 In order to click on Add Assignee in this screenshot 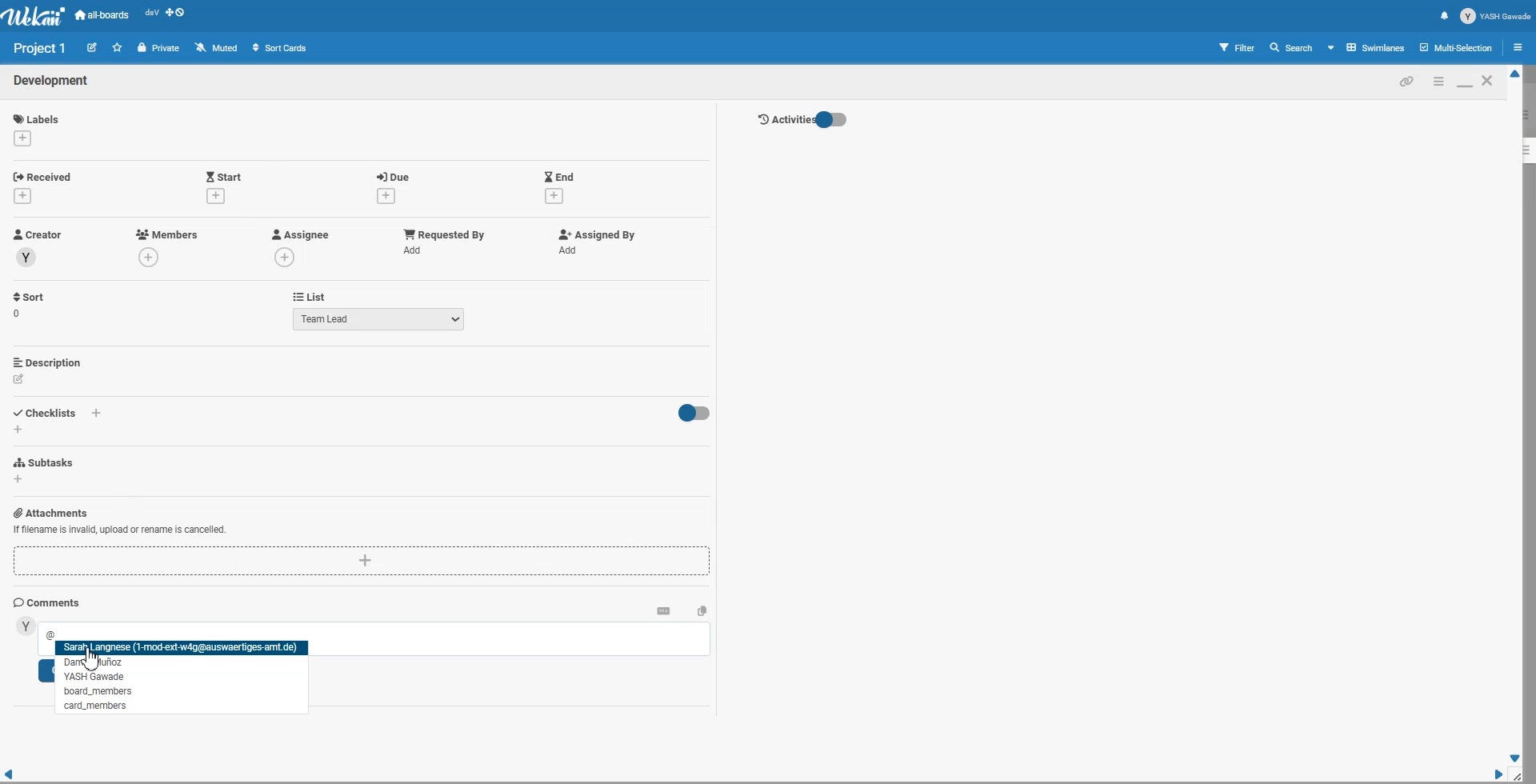, I will do `click(299, 234)`.